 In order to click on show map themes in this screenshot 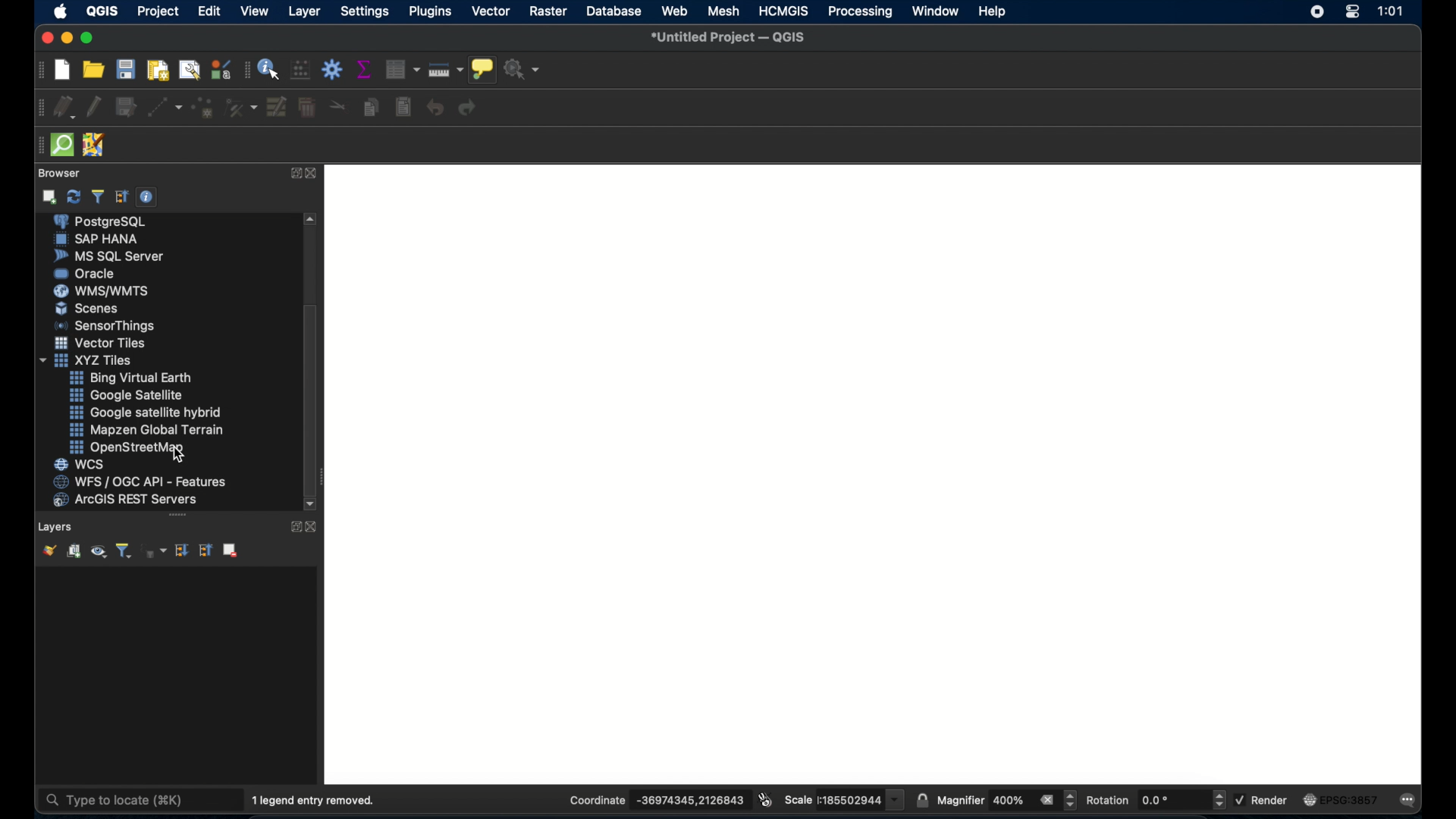, I will do `click(97, 552)`.